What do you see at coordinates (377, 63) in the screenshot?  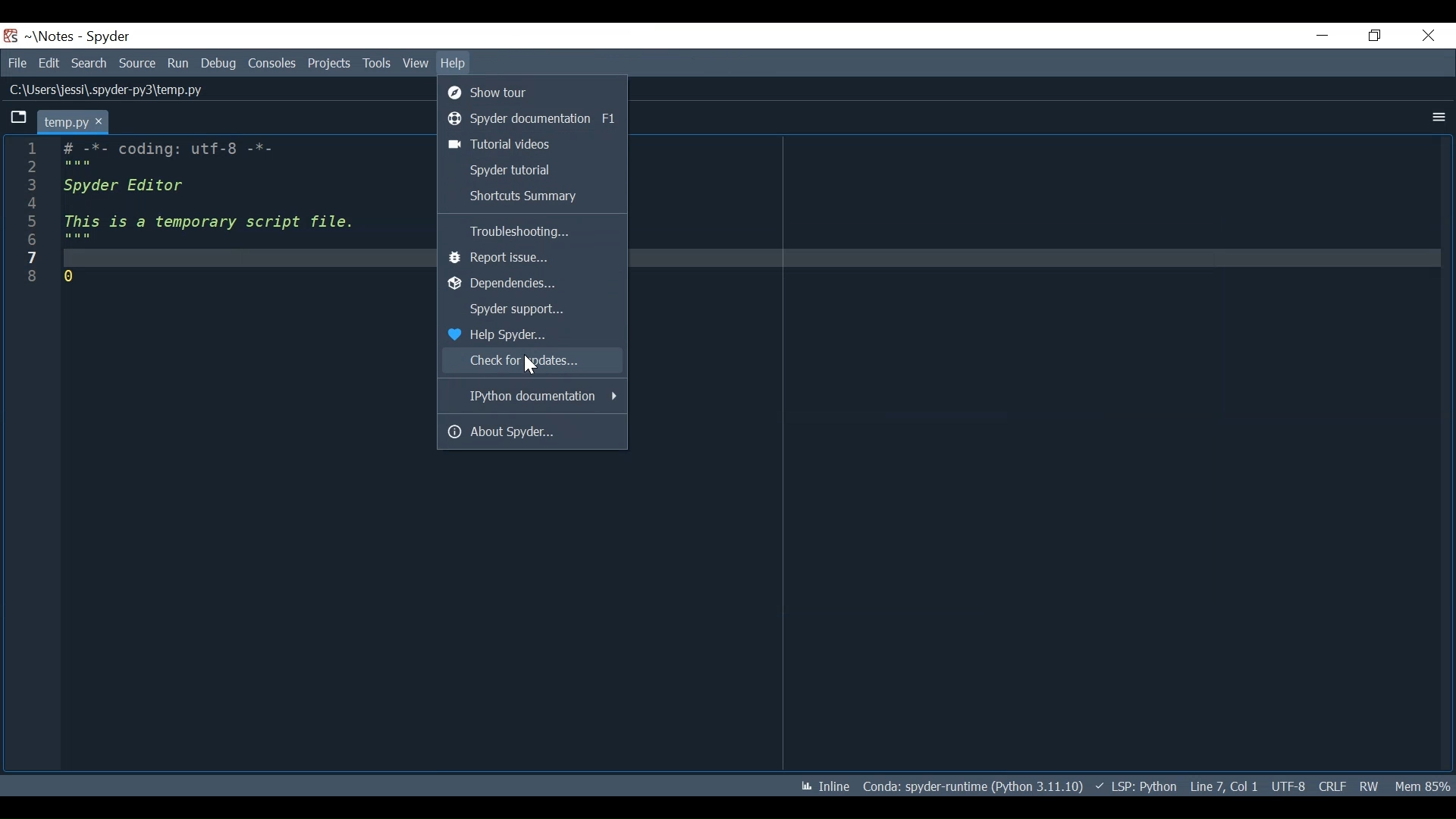 I see `Tools` at bounding box center [377, 63].